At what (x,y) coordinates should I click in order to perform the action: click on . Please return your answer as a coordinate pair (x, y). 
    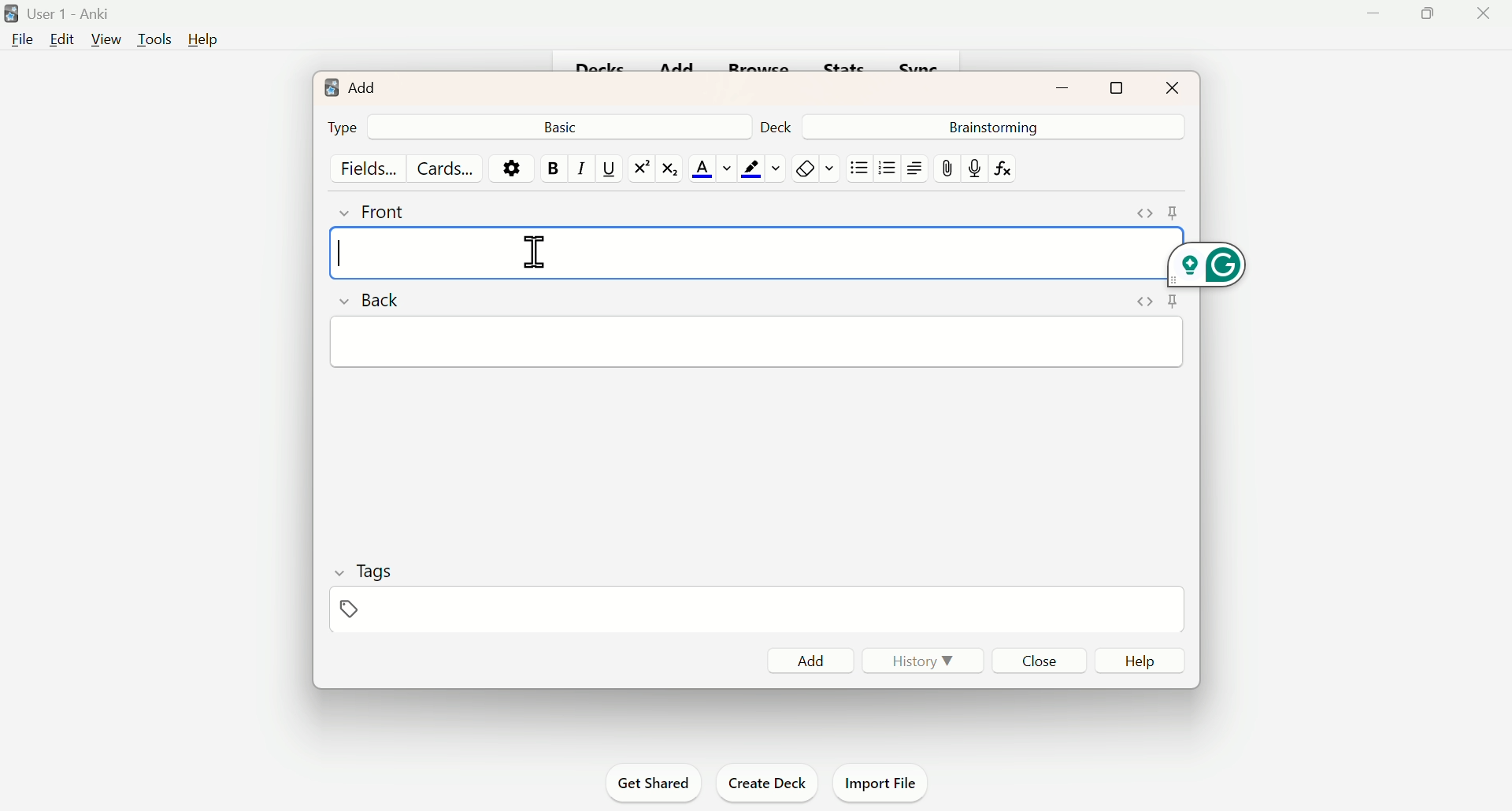
    Looking at the image, I should click on (642, 167).